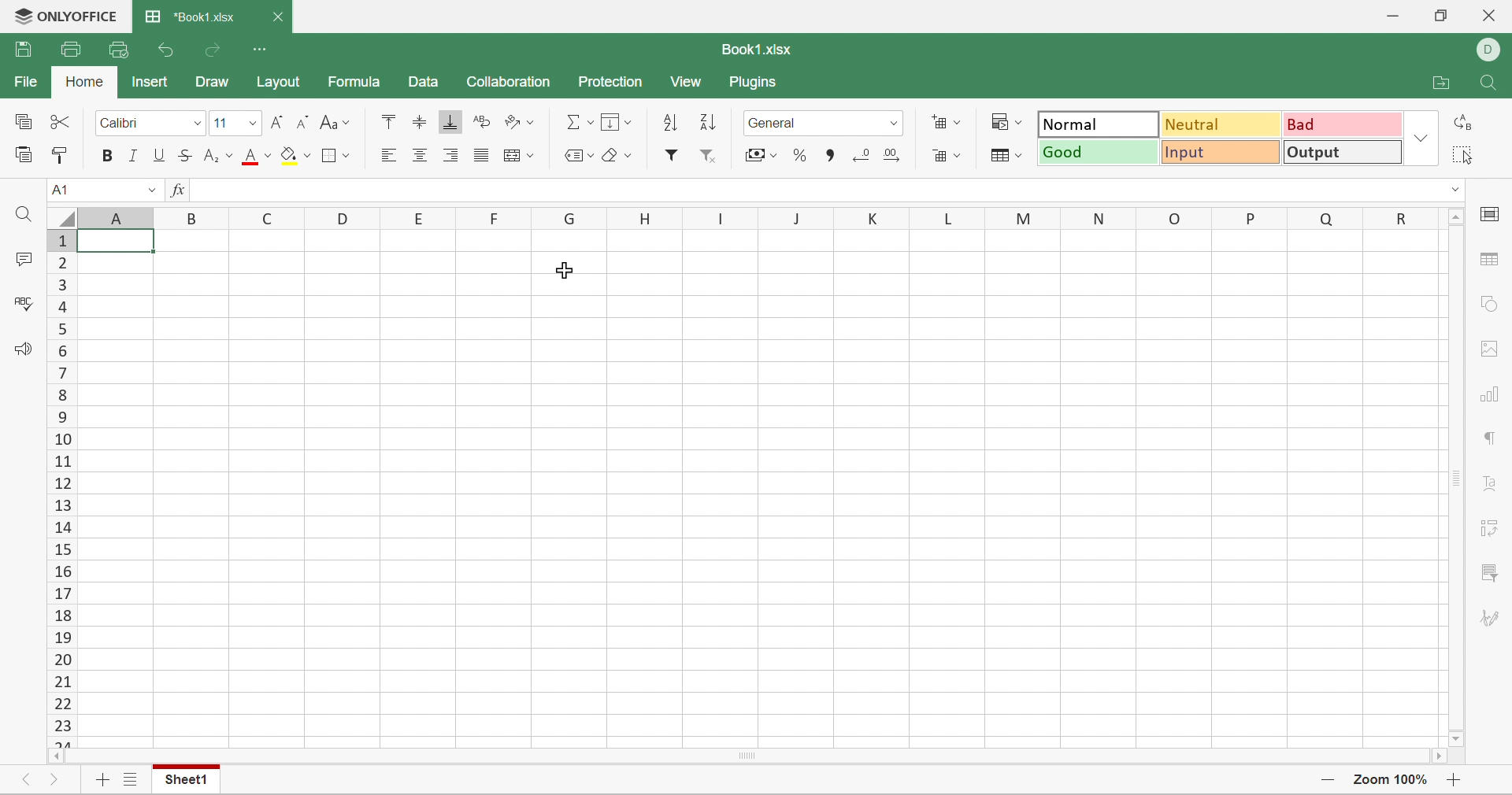  Describe the element at coordinates (187, 17) in the screenshot. I see `Book1.xlsx` at that location.